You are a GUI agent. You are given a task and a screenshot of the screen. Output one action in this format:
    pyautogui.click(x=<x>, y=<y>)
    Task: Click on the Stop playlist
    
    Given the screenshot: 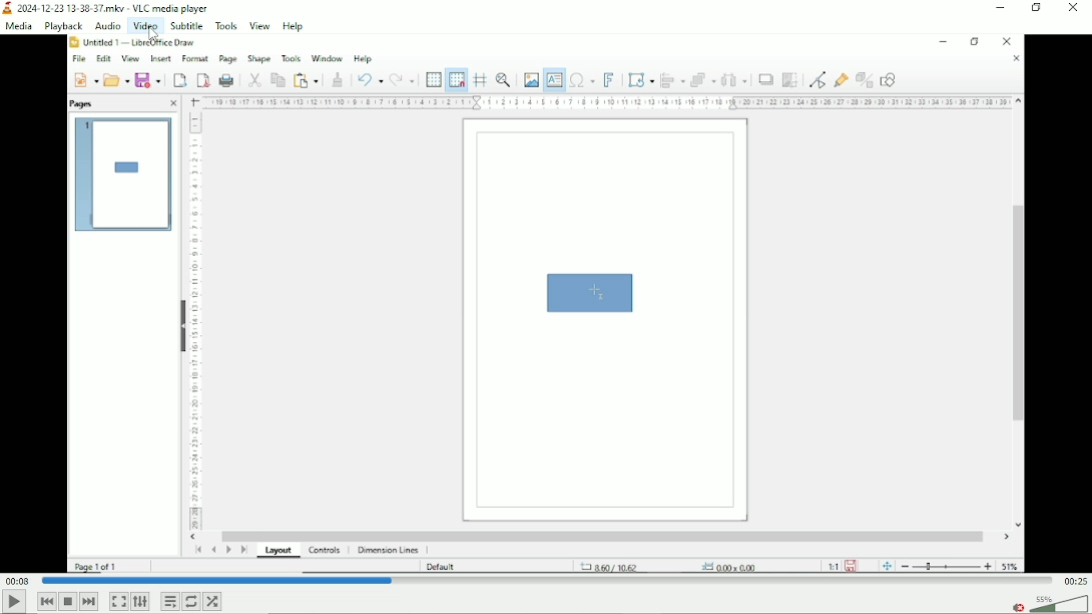 What is the action you would take?
    pyautogui.click(x=68, y=601)
    